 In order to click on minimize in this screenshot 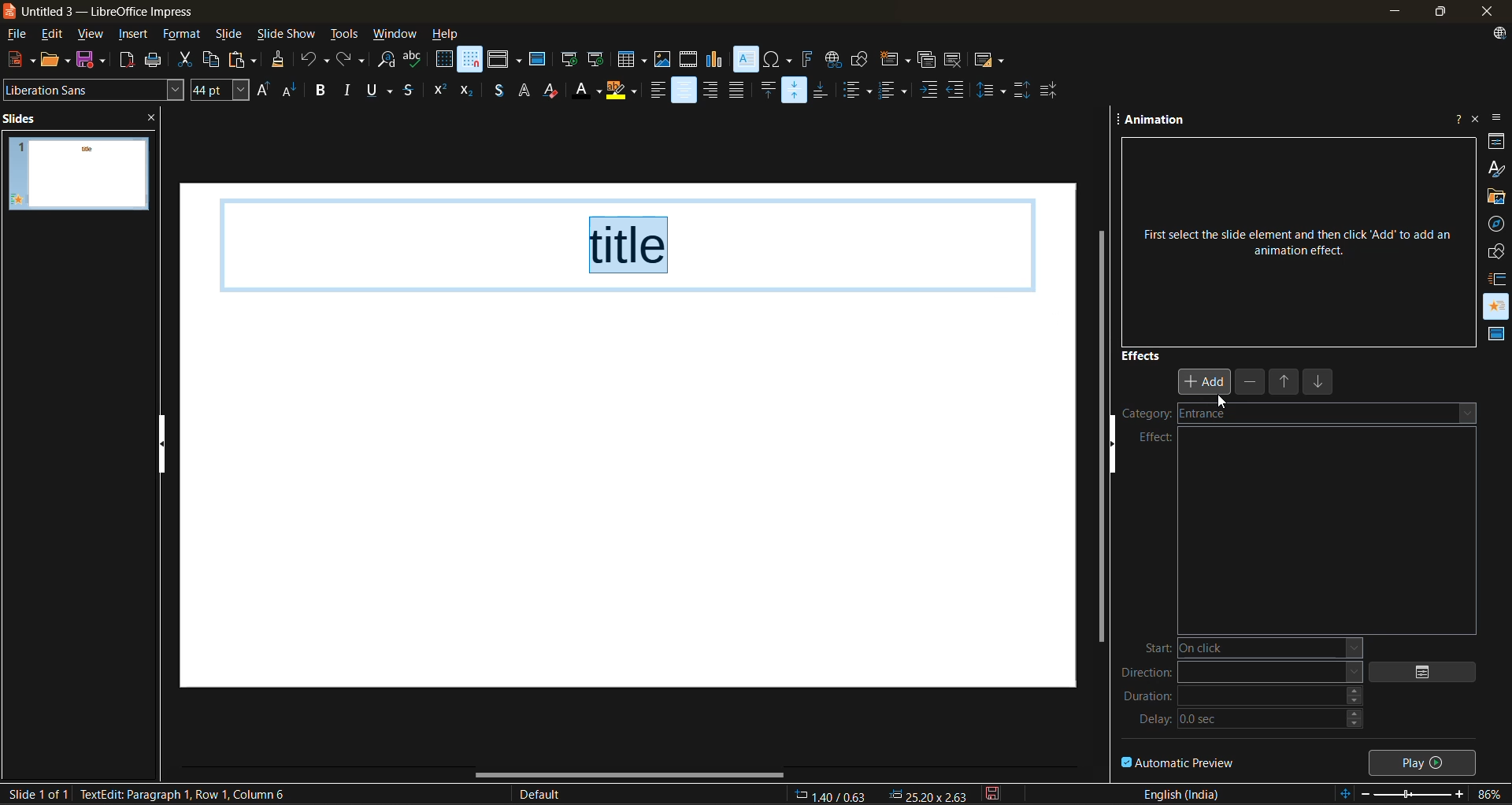, I will do `click(1392, 11)`.